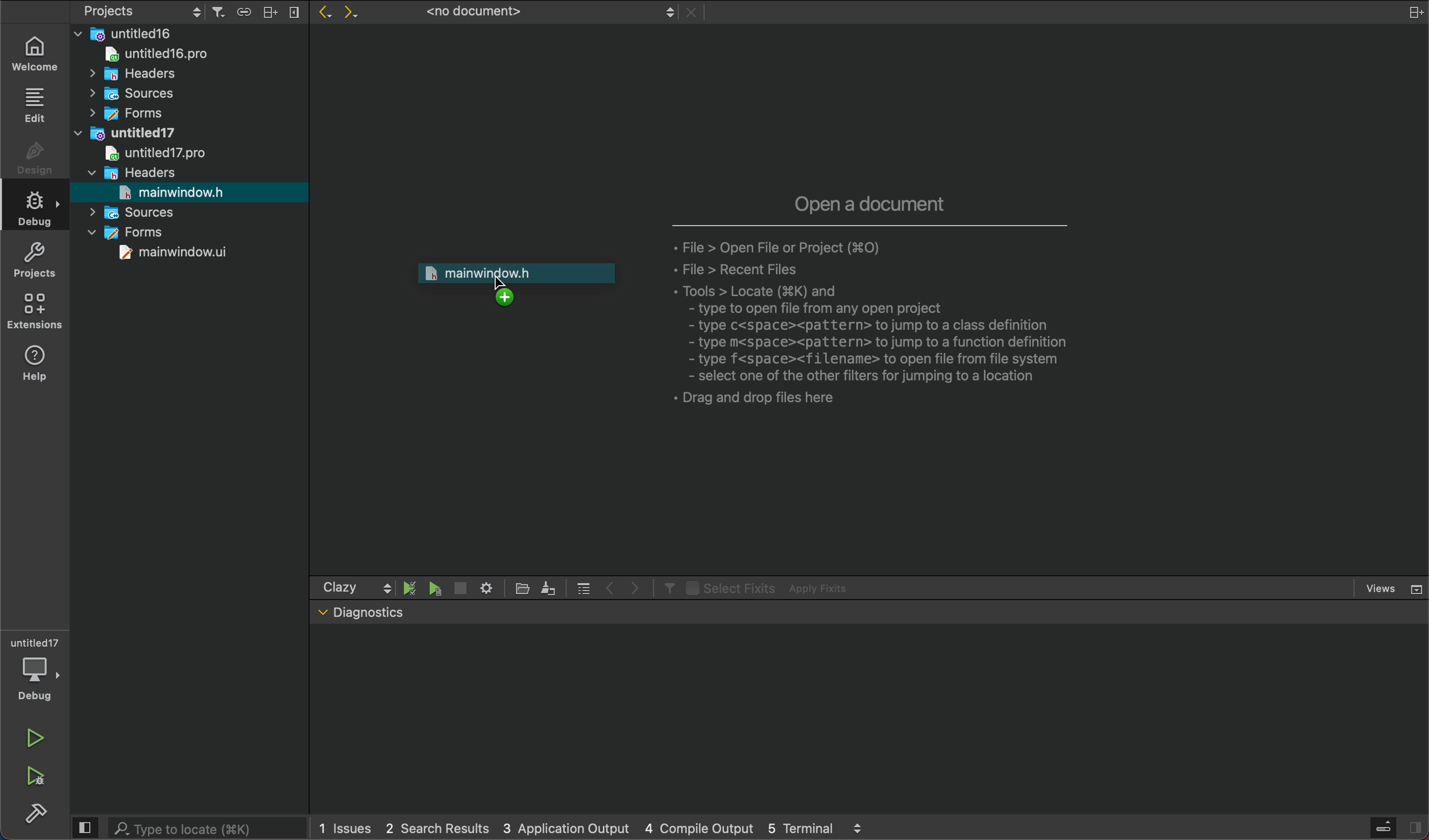 Image resolution: width=1429 pixels, height=840 pixels. I want to click on Diagnostics, so click(361, 613).